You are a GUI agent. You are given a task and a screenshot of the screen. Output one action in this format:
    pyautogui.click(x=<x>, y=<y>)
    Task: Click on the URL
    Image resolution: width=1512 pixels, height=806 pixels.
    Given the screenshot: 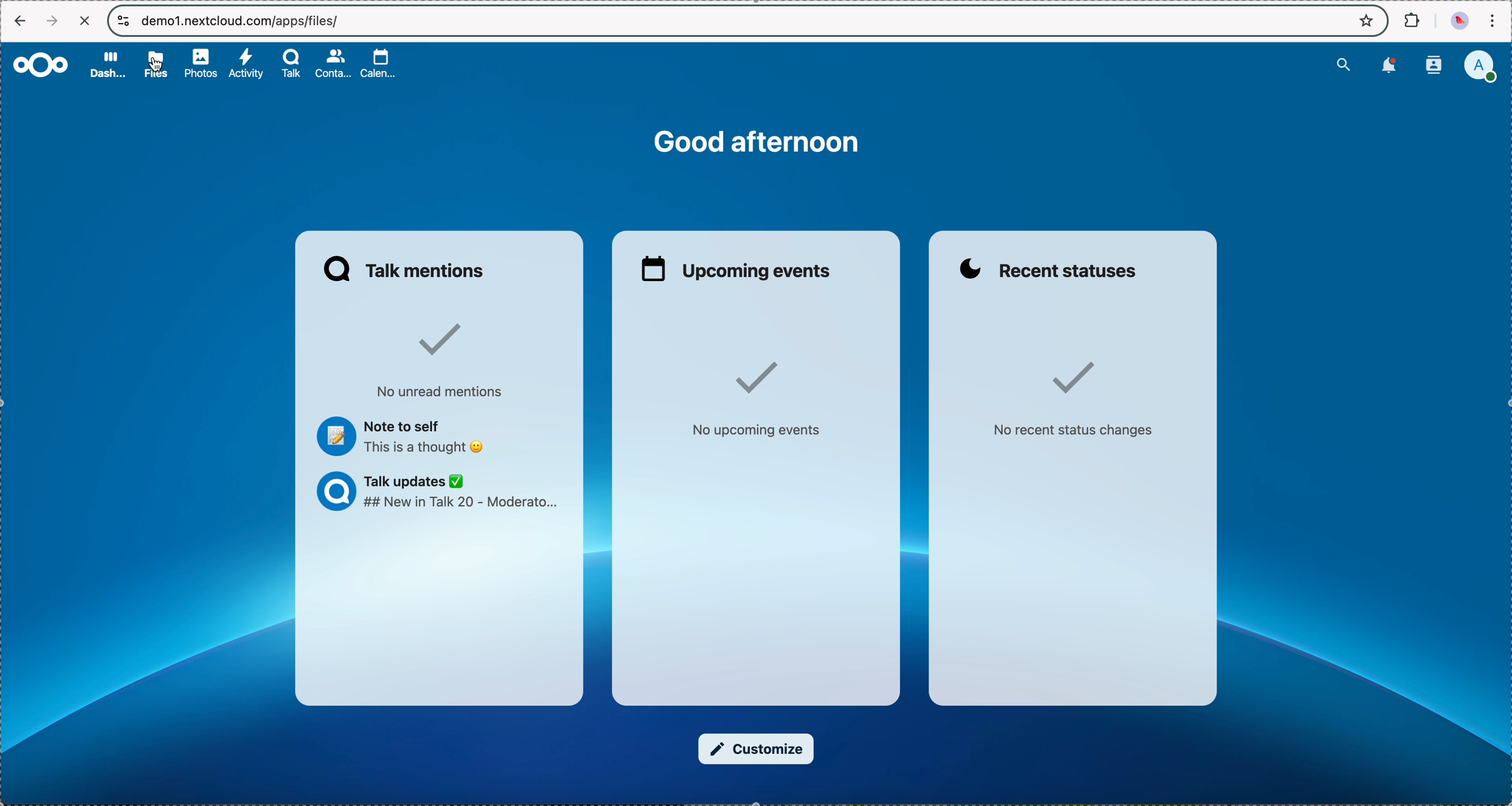 What is the action you would take?
    pyautogui.click(x=243, y=20)
    